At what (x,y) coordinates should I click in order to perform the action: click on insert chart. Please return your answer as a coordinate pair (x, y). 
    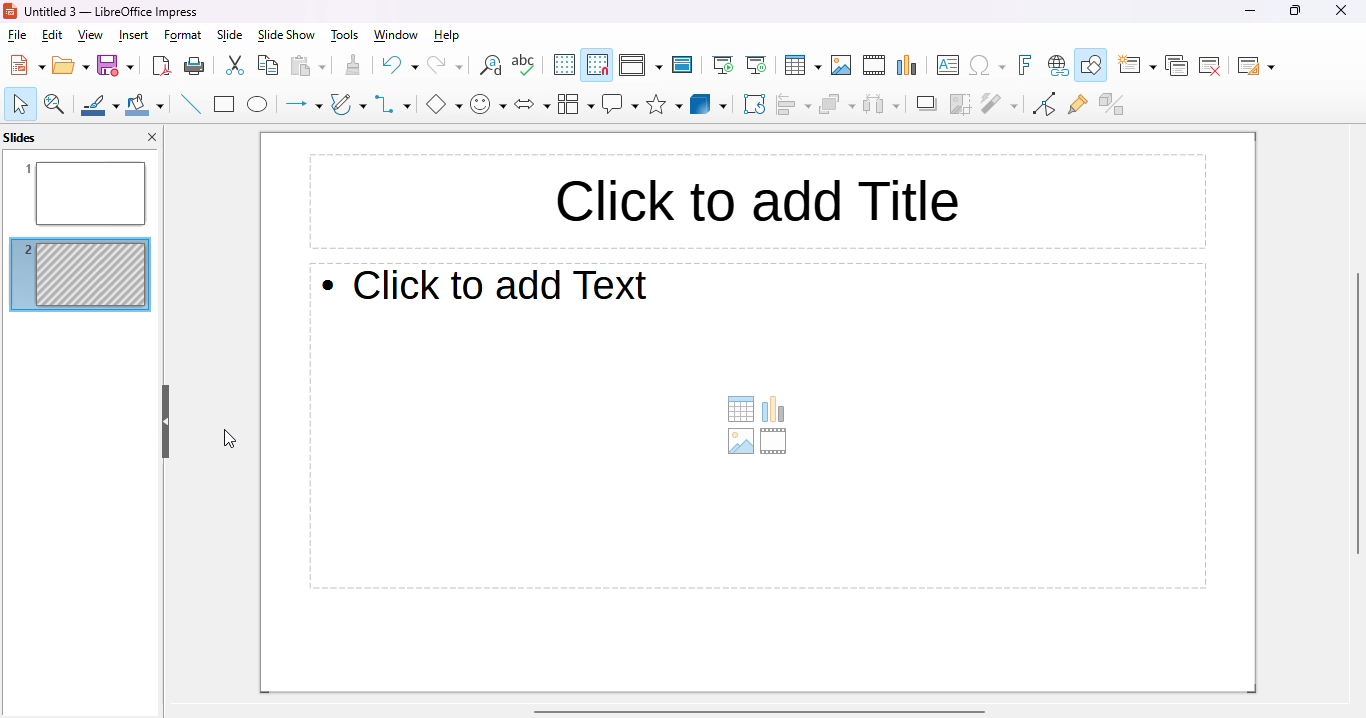
    Looking at the image, I should click on (907, 65).